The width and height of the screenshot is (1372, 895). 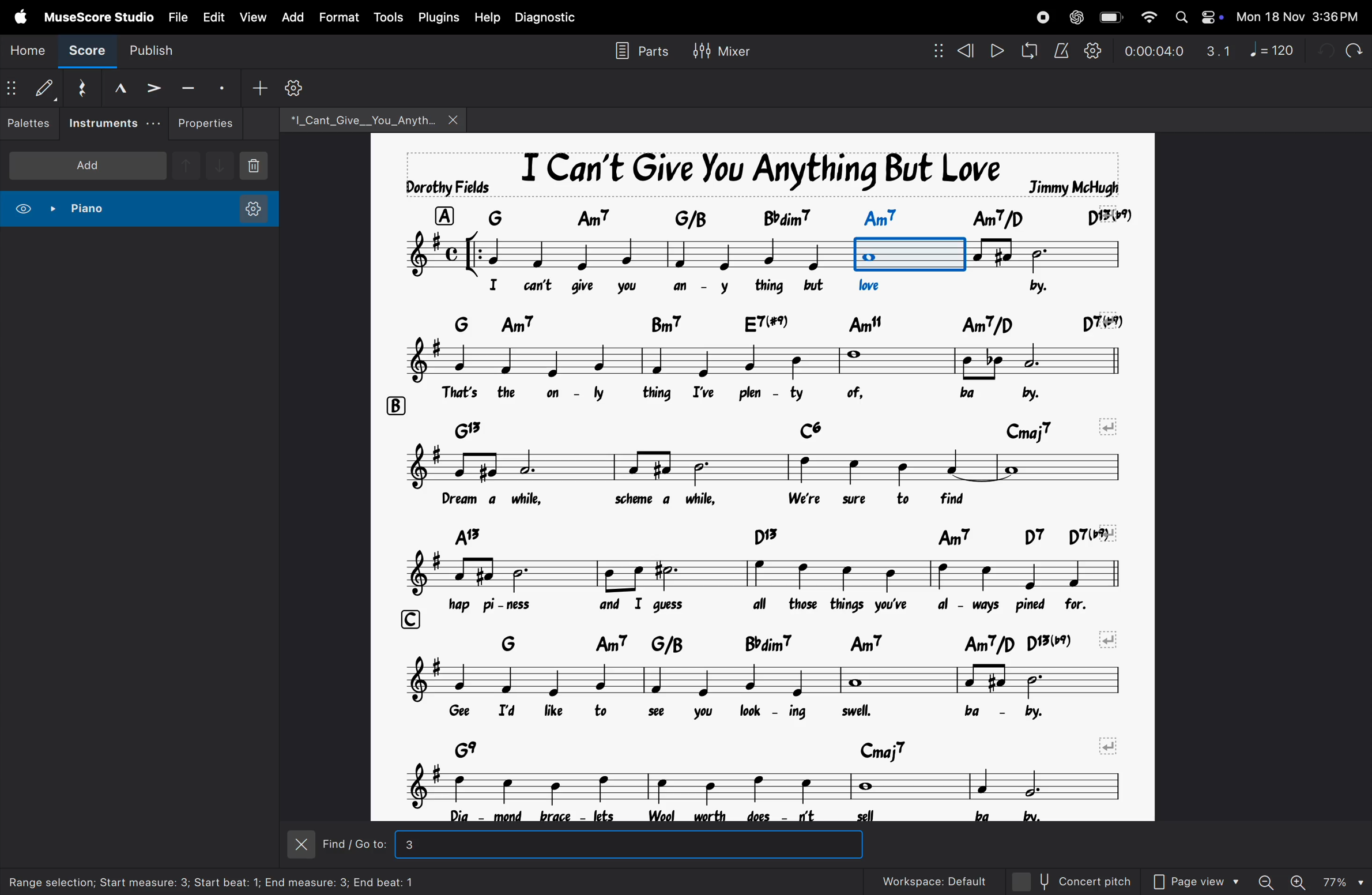 I want to click on 3.1, so click(x=1215, y=49).